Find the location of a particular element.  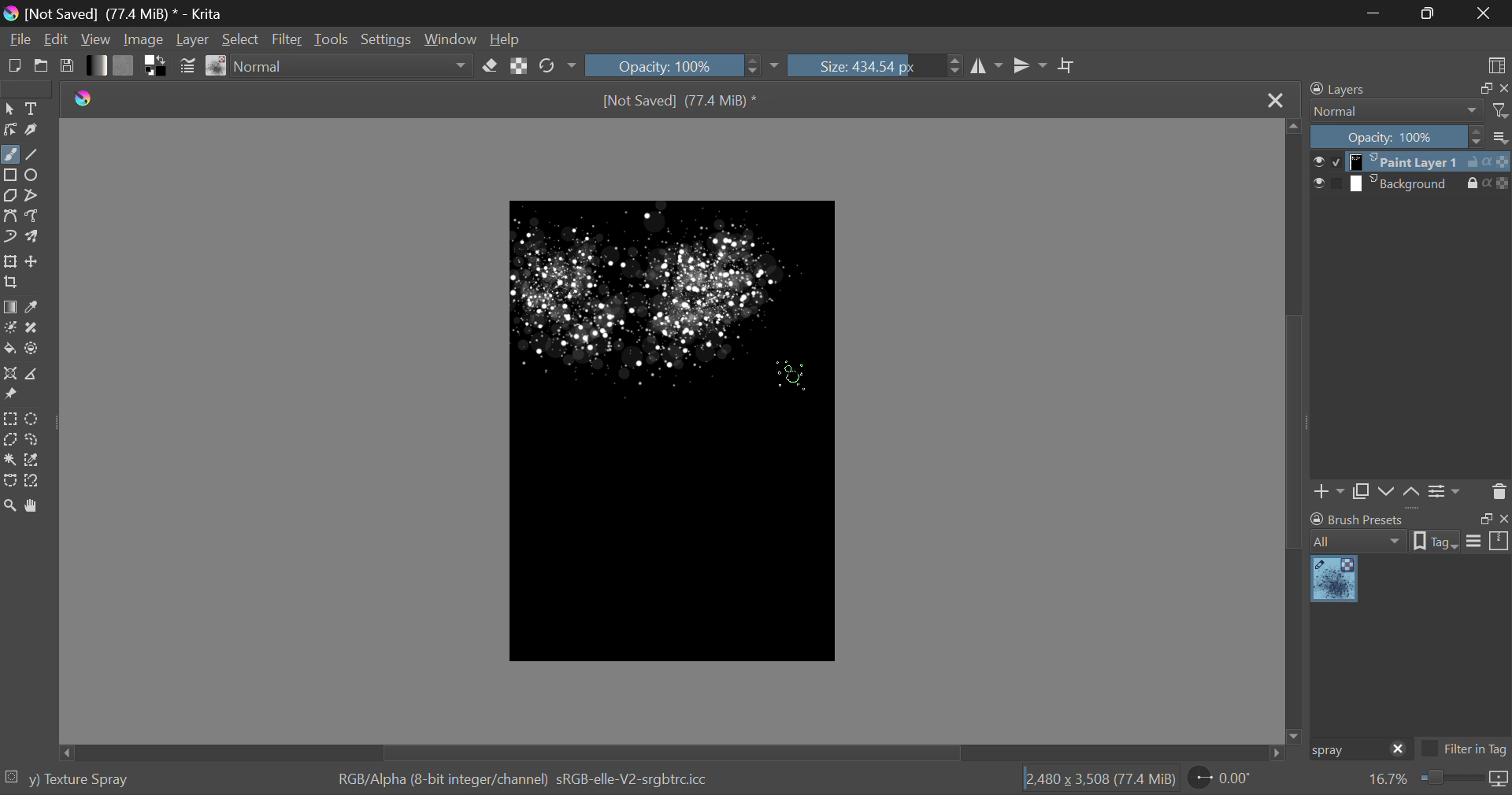

Add Layer is located at coordinates (1329, 494).